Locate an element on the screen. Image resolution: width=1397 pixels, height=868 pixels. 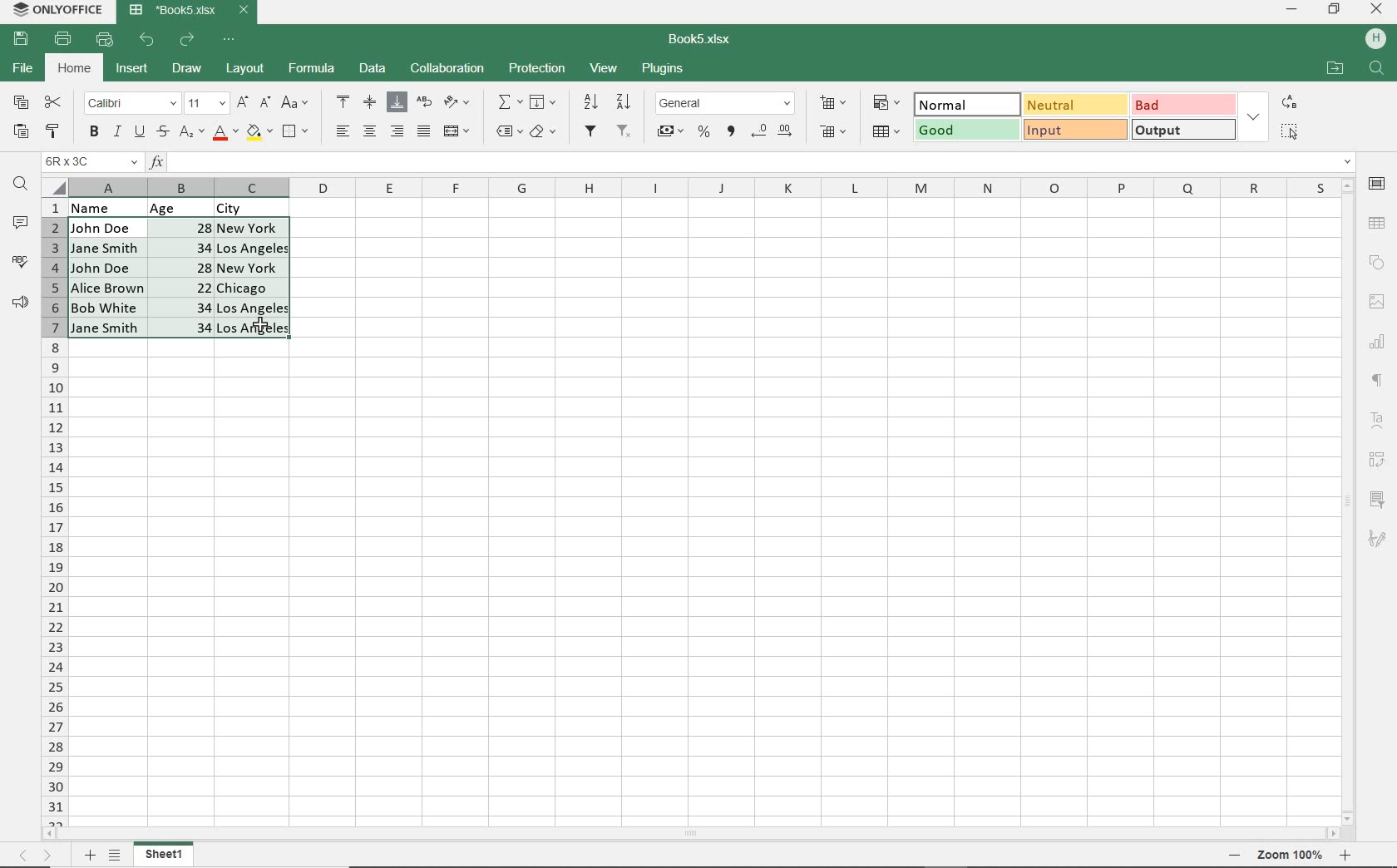
CELLS SELECTED is located at coordinates (180, 278).